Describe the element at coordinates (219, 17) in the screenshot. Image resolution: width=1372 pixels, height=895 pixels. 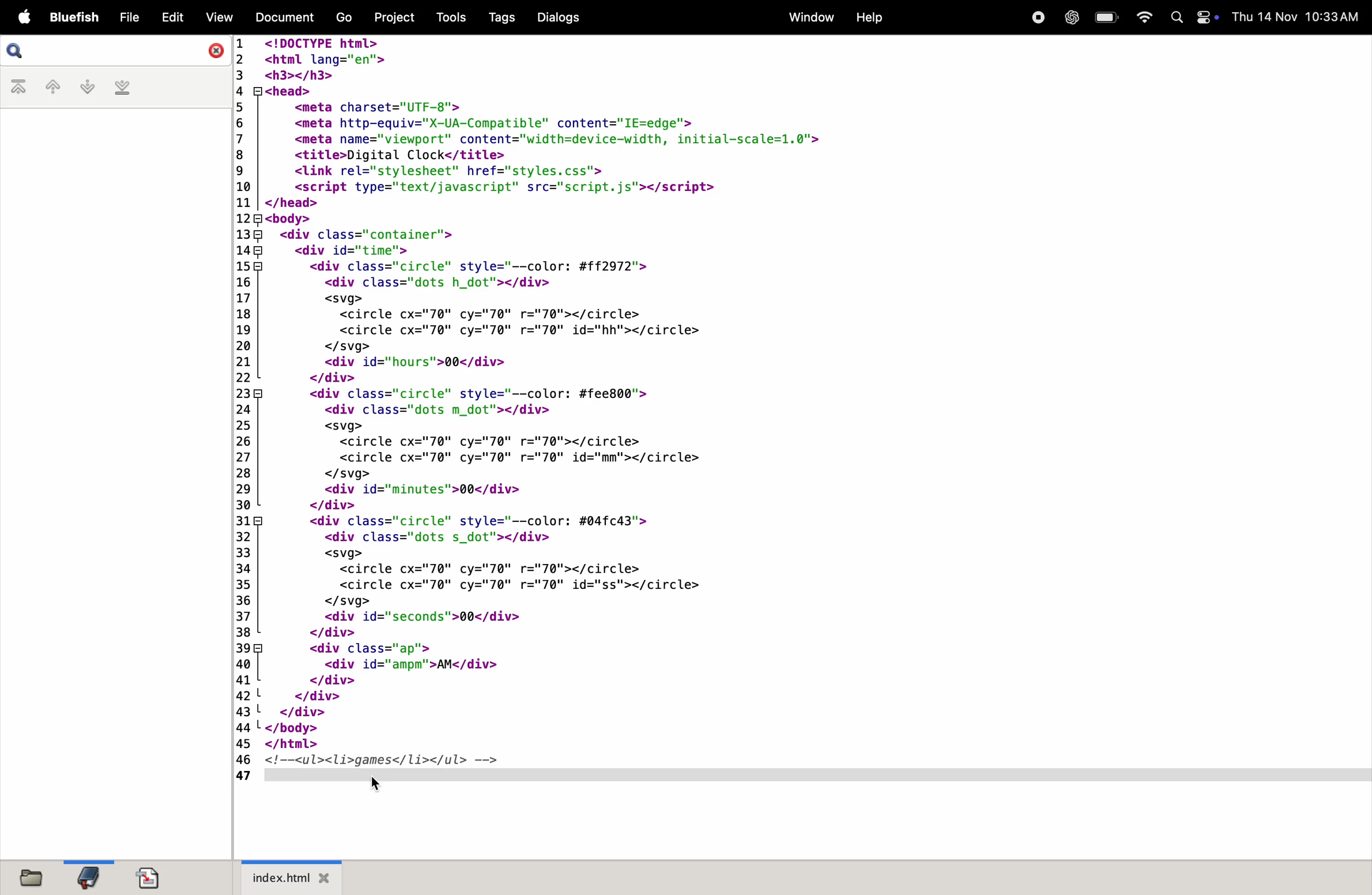
I see `View` at that location.